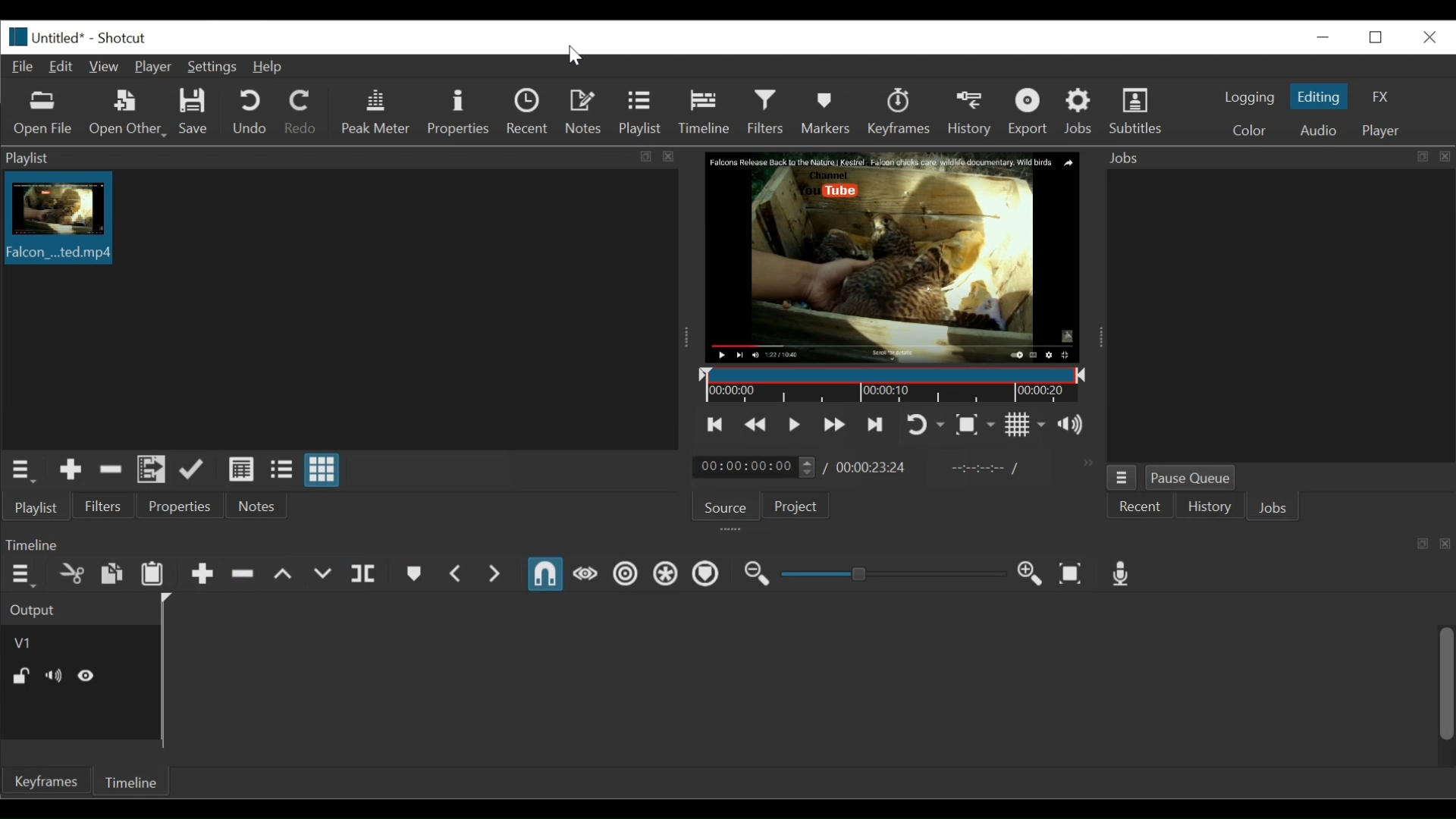 The height and width of the screenshot is (819, 1456). What do you see at coordinates (708, 576) in the screenshot?
I see `Ripple Markers` at bounding box center [708, 576].